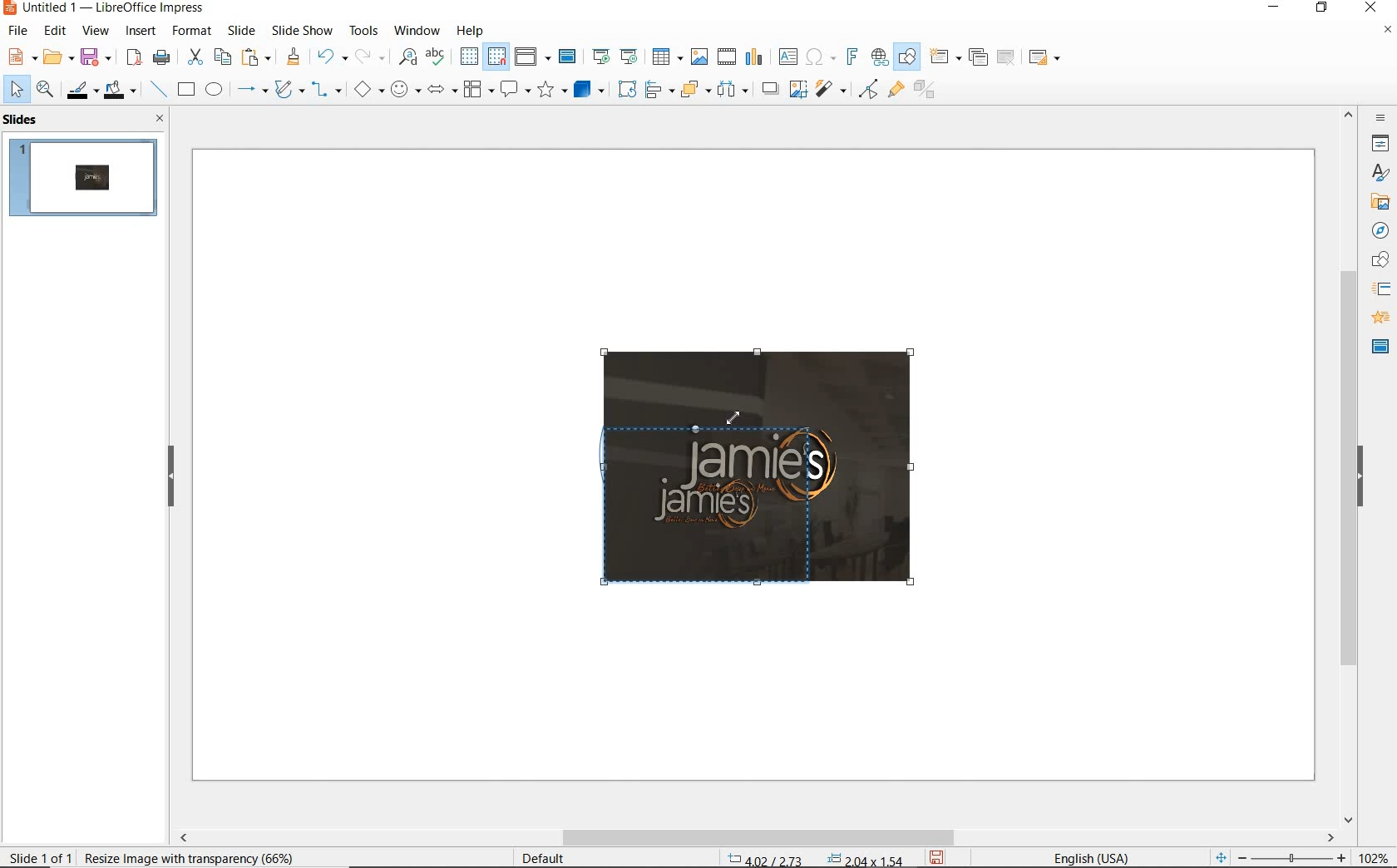 This screenshot has width=1397, height=868. Describe the element at coordinates (157, 90) in the screenshot. I see `insert line` at that location.